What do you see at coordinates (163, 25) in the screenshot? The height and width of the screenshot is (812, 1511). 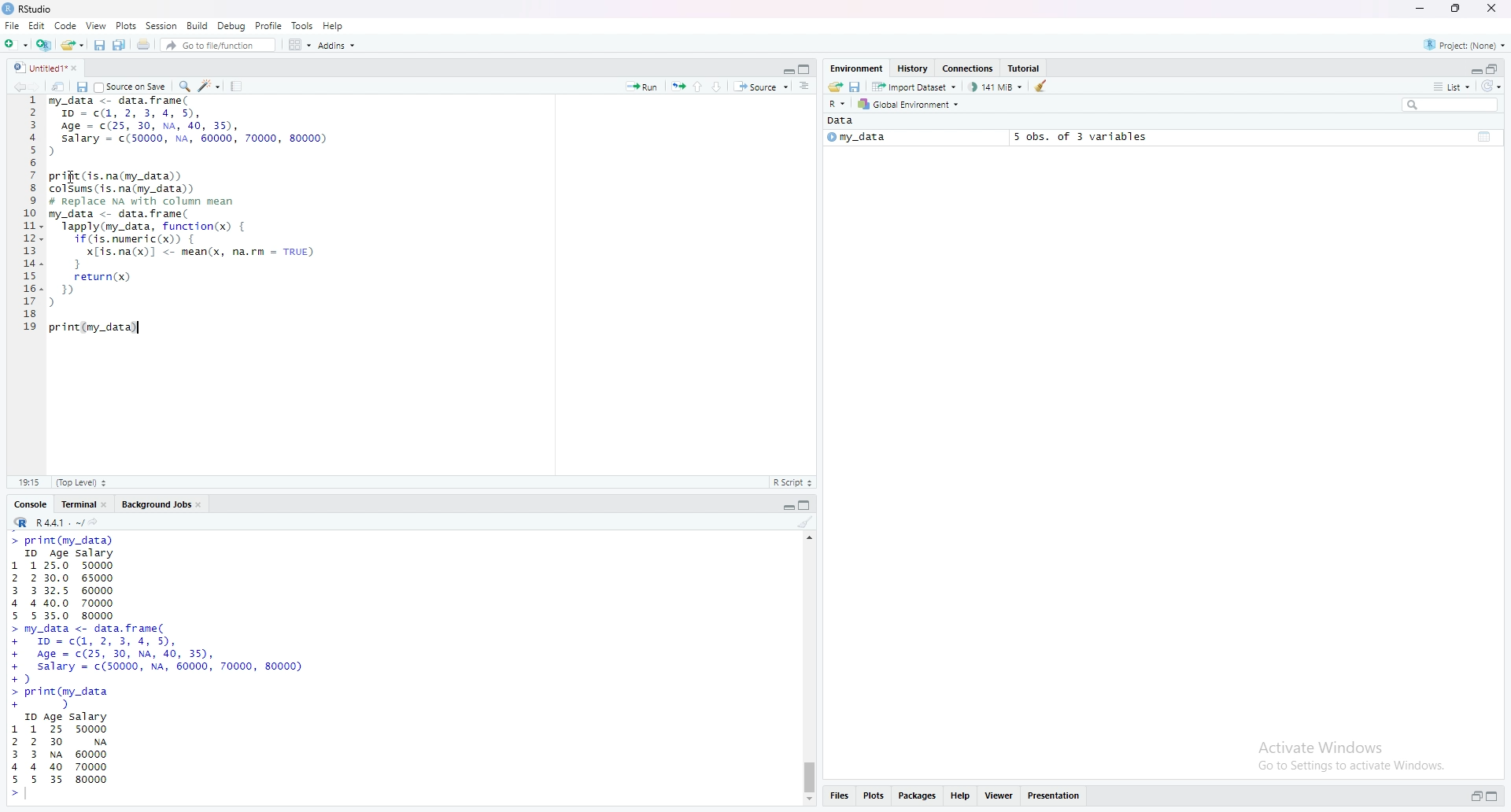 I see `Session` at bounding box center [163, 25].